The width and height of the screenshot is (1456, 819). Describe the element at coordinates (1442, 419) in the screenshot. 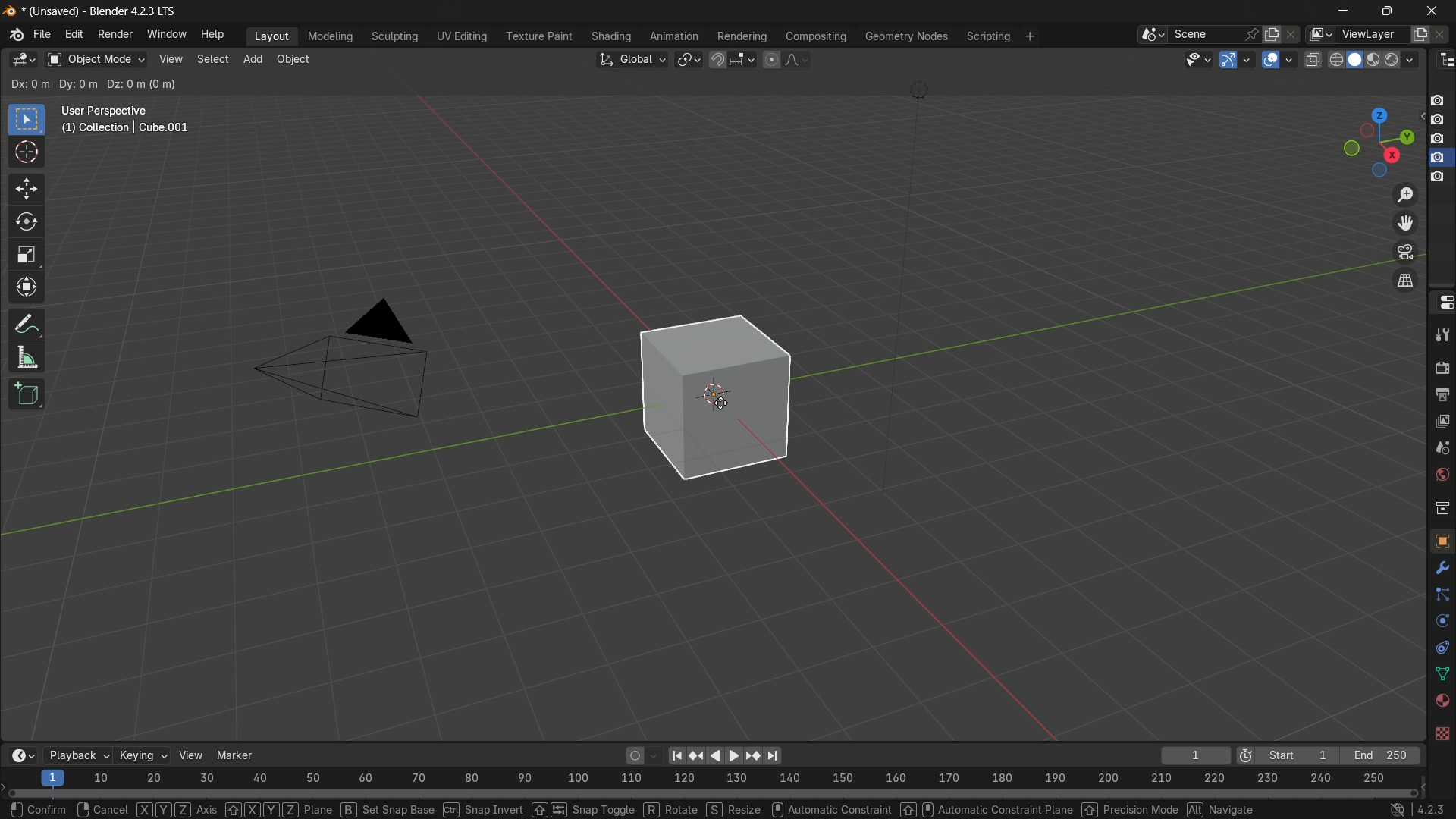

I see `view layer` at that location.